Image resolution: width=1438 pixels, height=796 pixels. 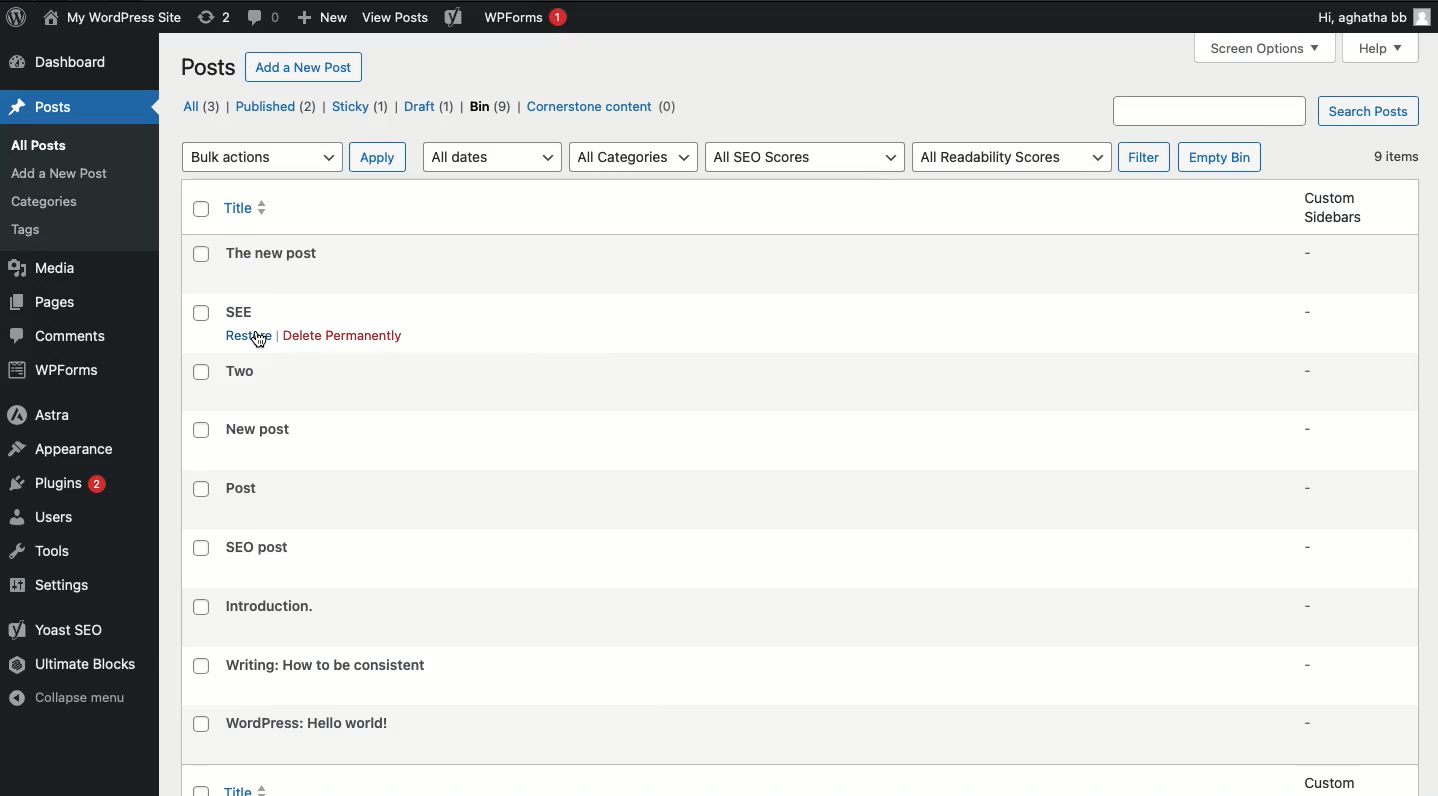 I want to click on Title, so click(x=271, y=607).